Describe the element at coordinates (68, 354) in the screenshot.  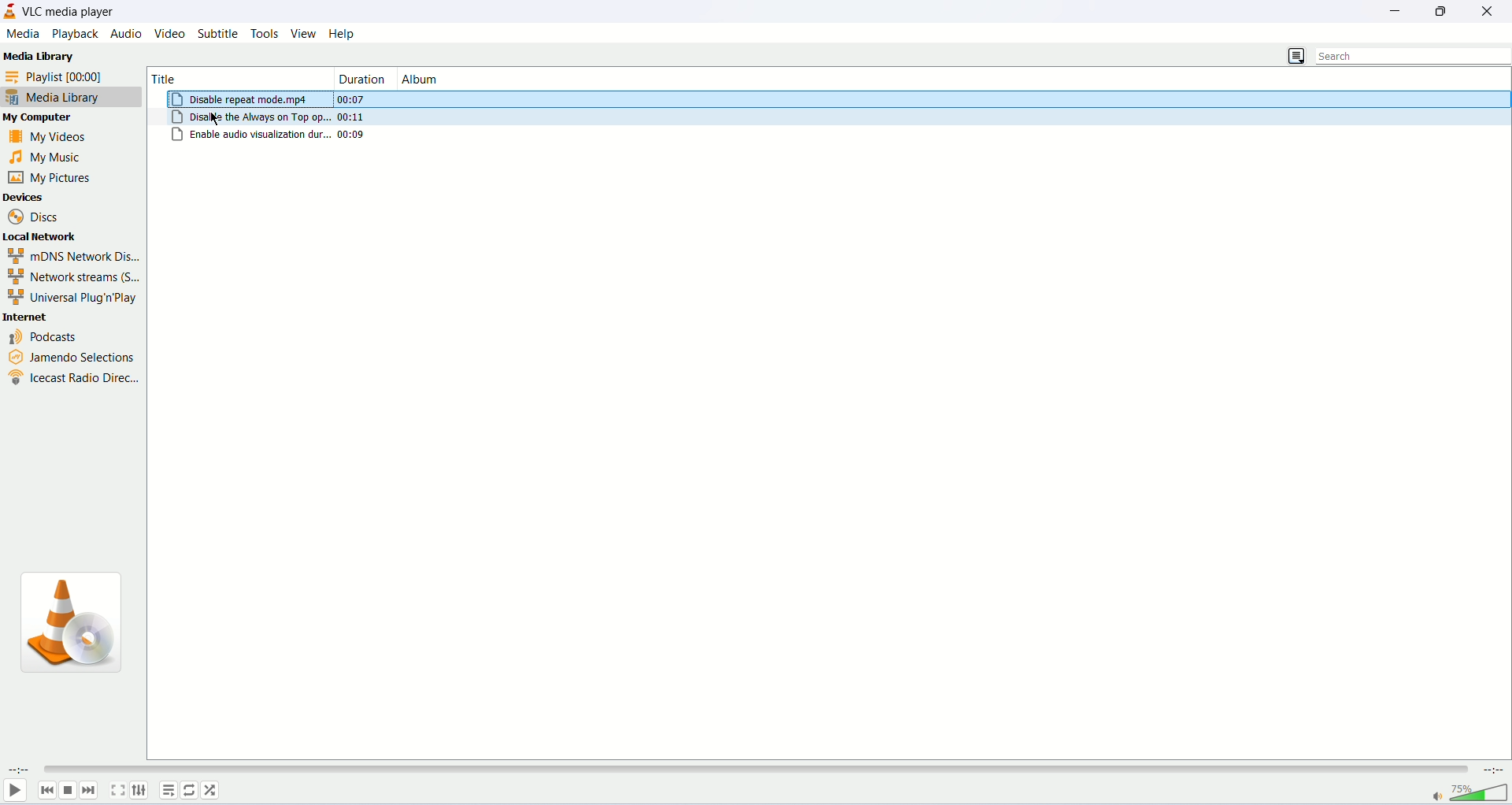
I see `jamendo selections` at that location.